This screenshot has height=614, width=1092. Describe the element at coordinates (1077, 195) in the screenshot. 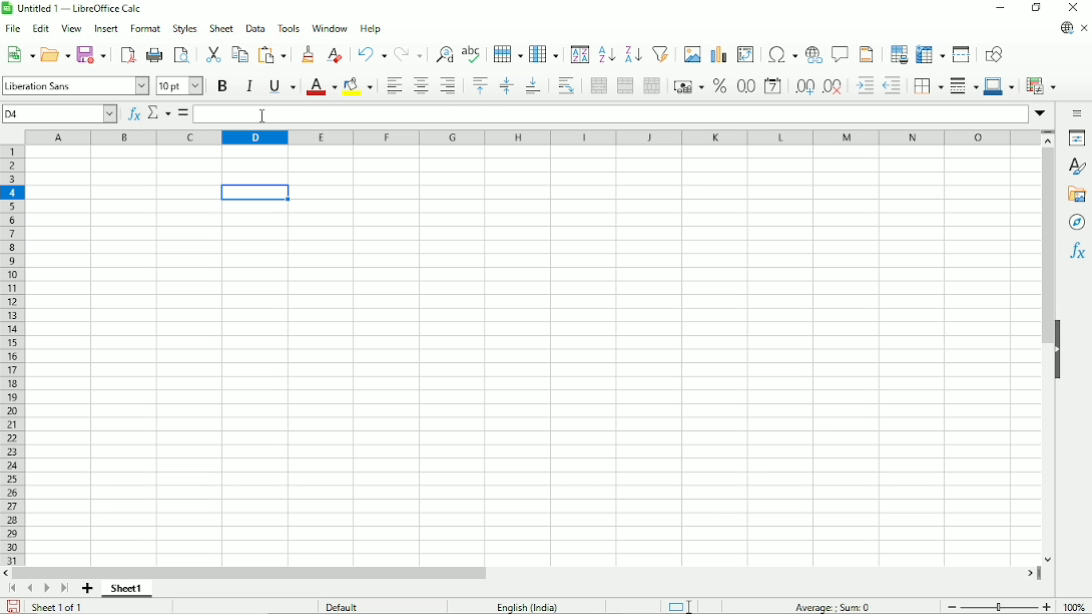

I see `Gallery` at that location.